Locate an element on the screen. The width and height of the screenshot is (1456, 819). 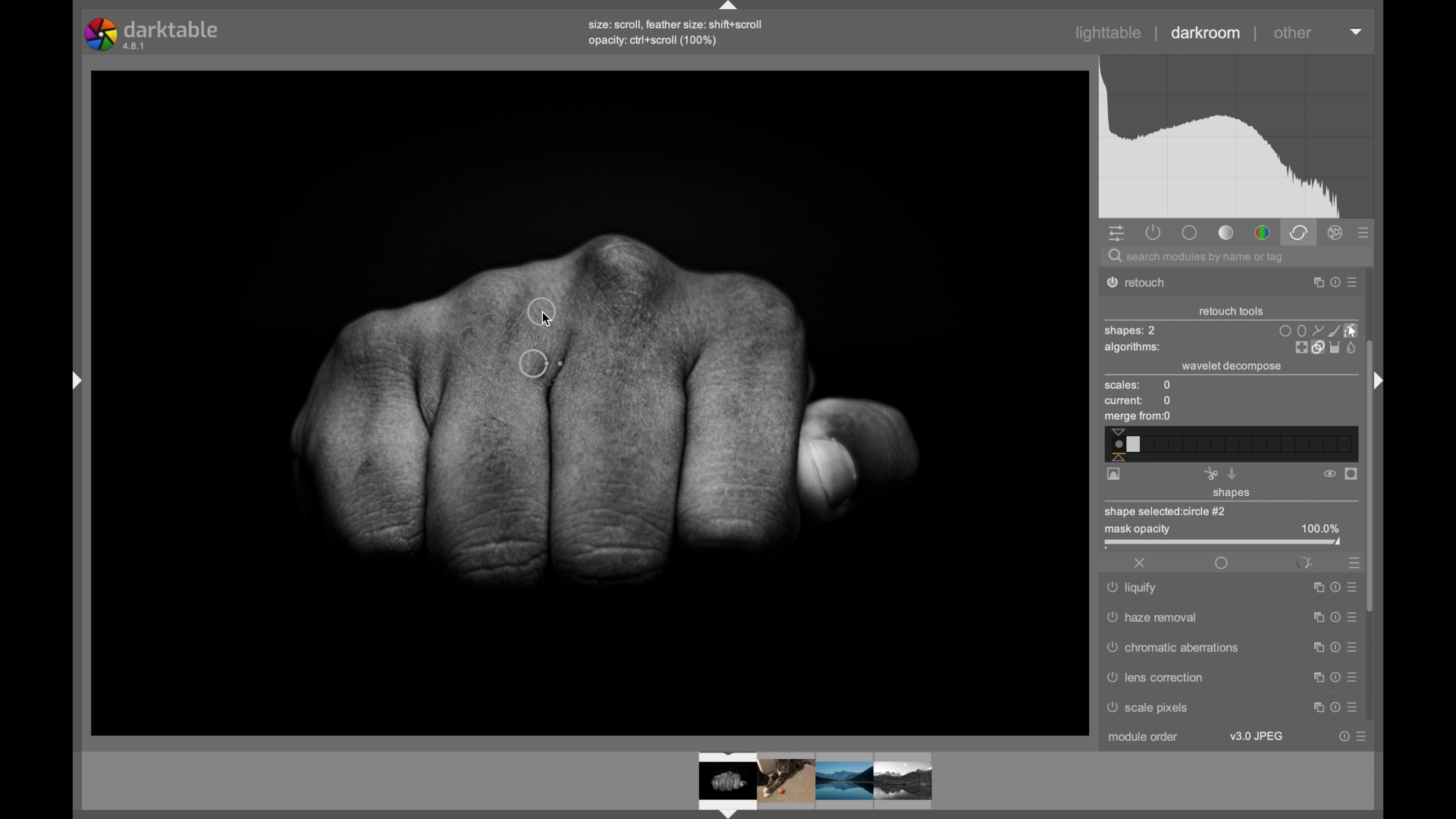
liquify is located at coordinates (1134, 590).